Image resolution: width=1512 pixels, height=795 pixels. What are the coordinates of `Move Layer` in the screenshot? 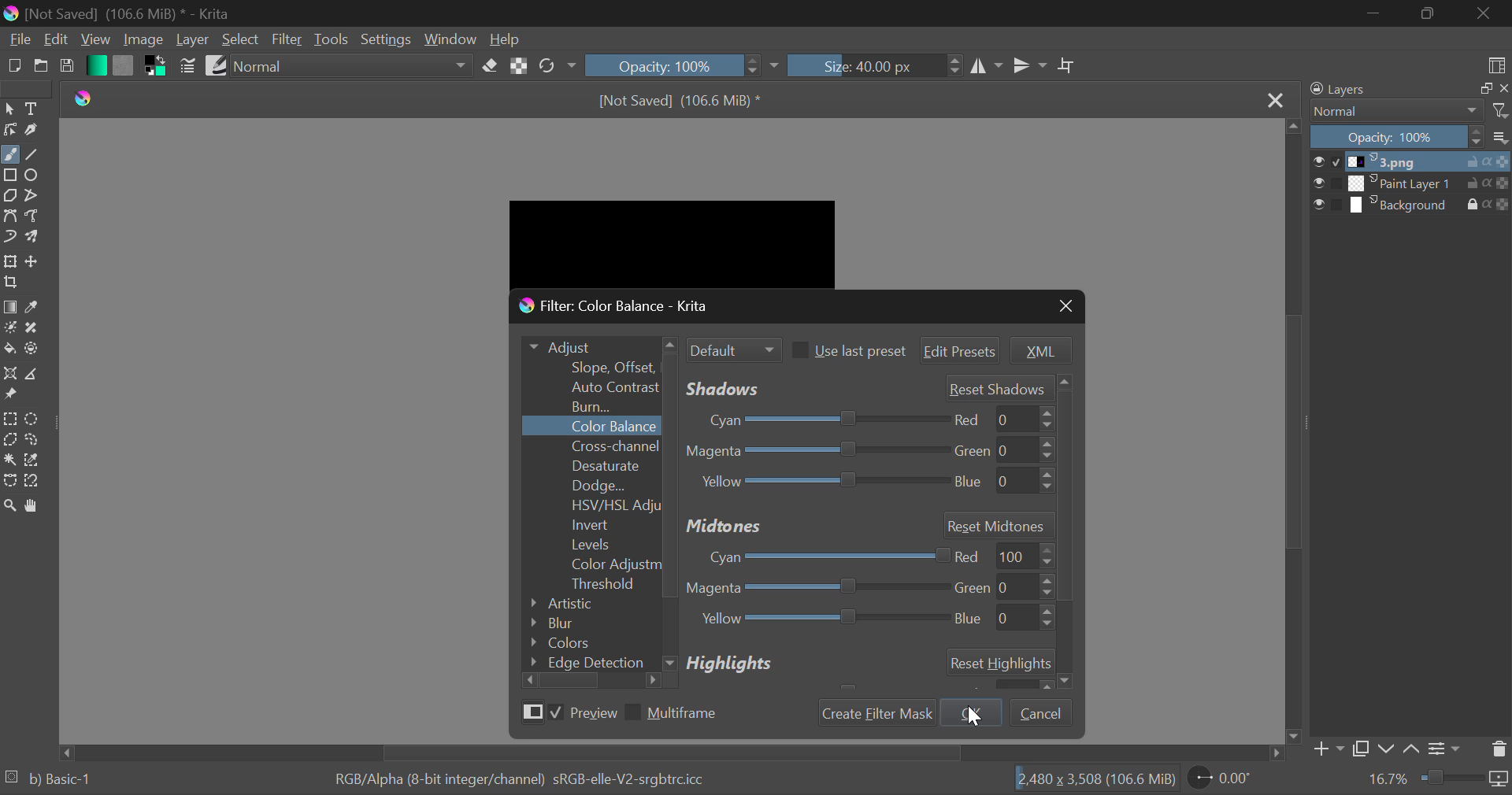 It's located at (36, 263).